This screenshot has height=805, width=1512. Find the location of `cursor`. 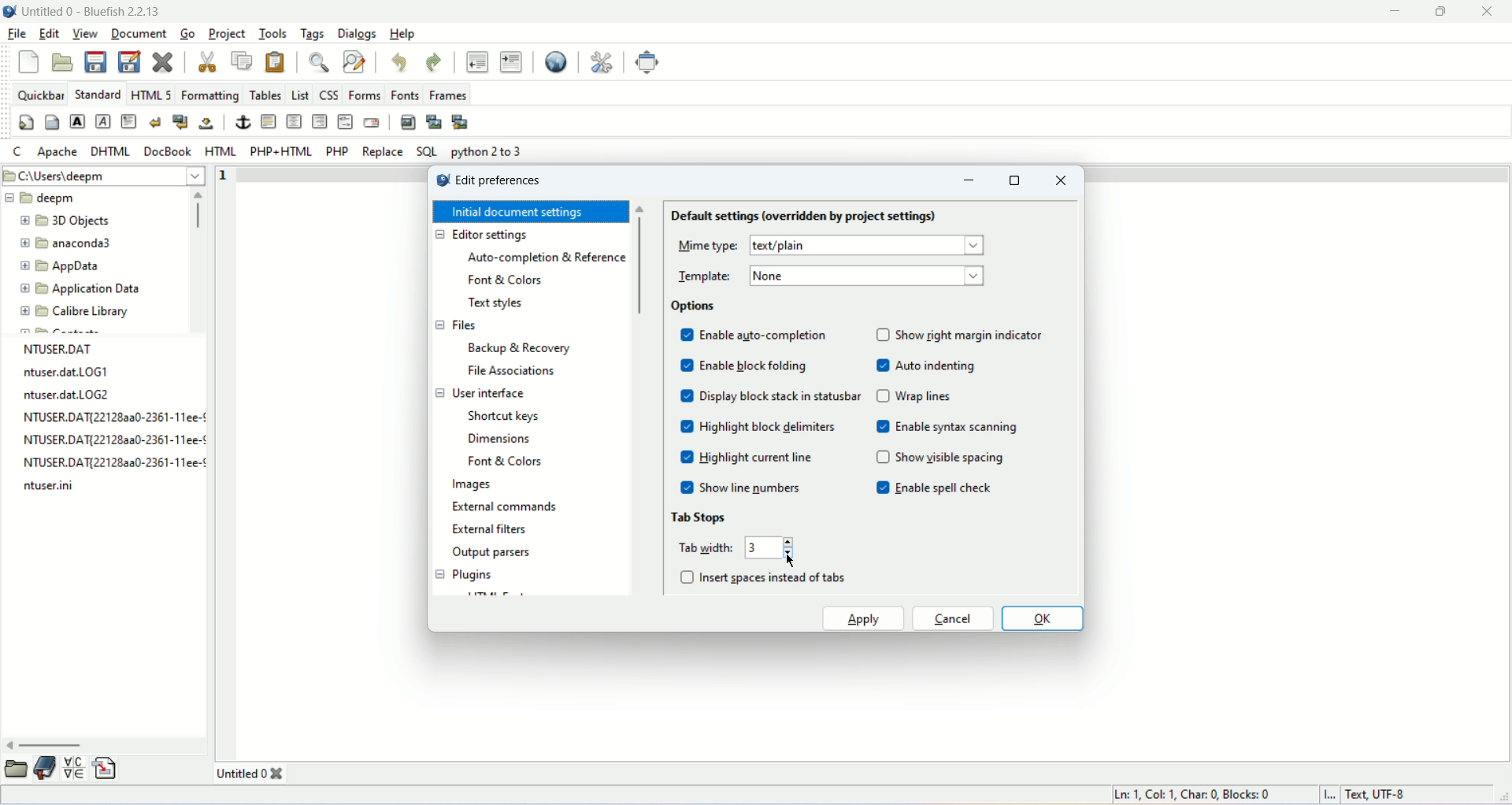

cursor is located at coordinates (789, 555).